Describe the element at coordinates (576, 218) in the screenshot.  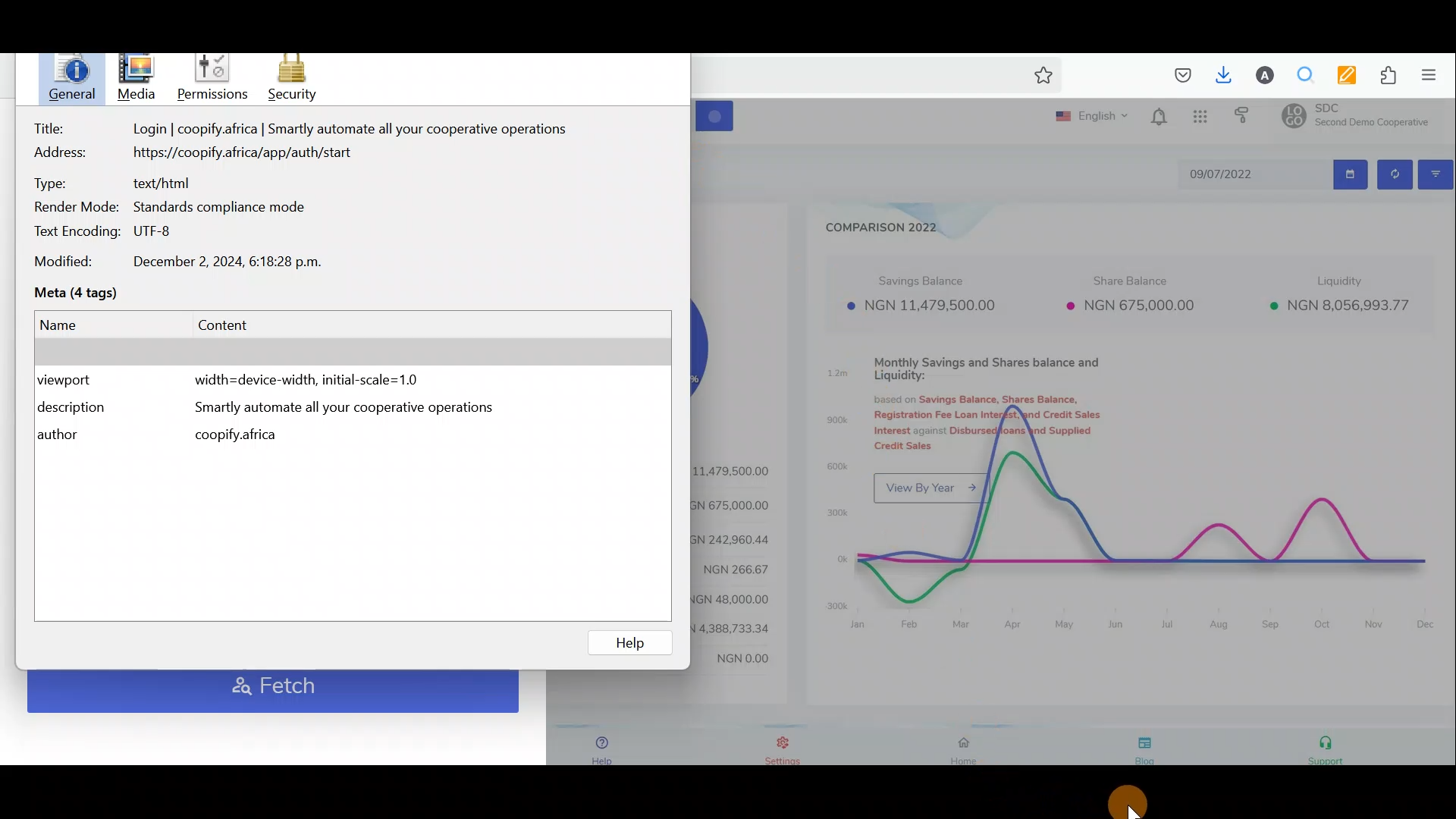
I see `Background` at that location.